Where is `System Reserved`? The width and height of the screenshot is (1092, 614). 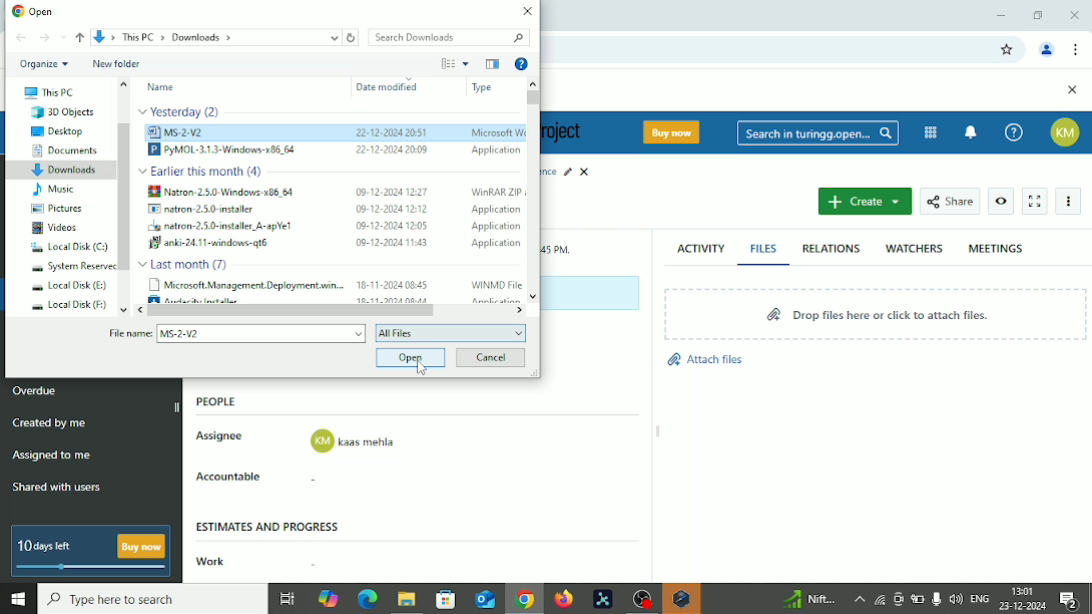 System Reserved is located at coordinates (72, 267).